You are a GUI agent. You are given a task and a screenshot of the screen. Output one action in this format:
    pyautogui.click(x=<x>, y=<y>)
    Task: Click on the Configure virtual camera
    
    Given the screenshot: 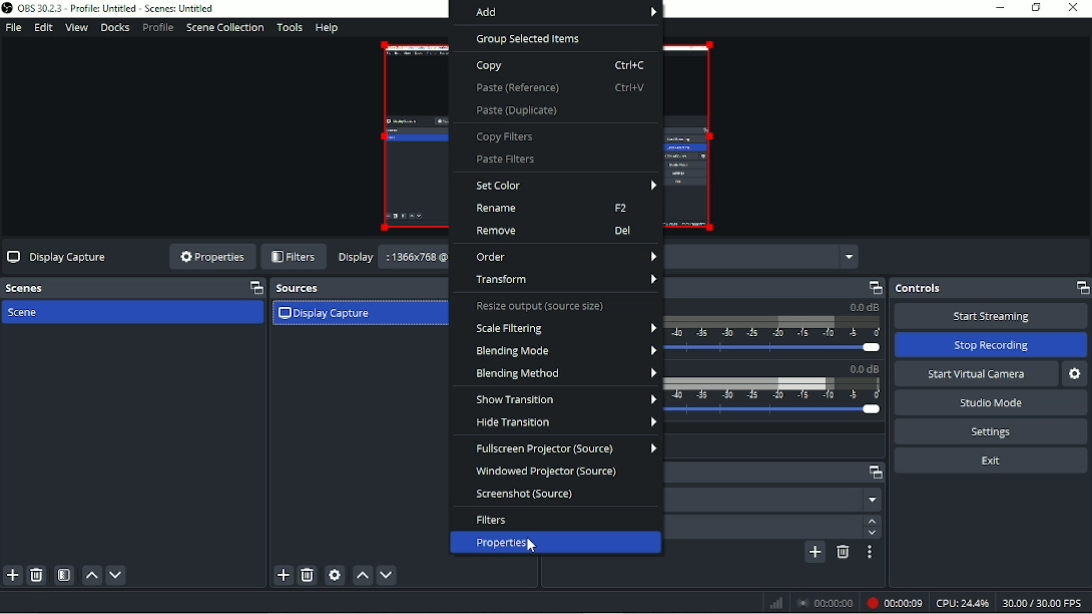 What is the action you would take?
    pyautogui.click(x=1076, y=374)
    